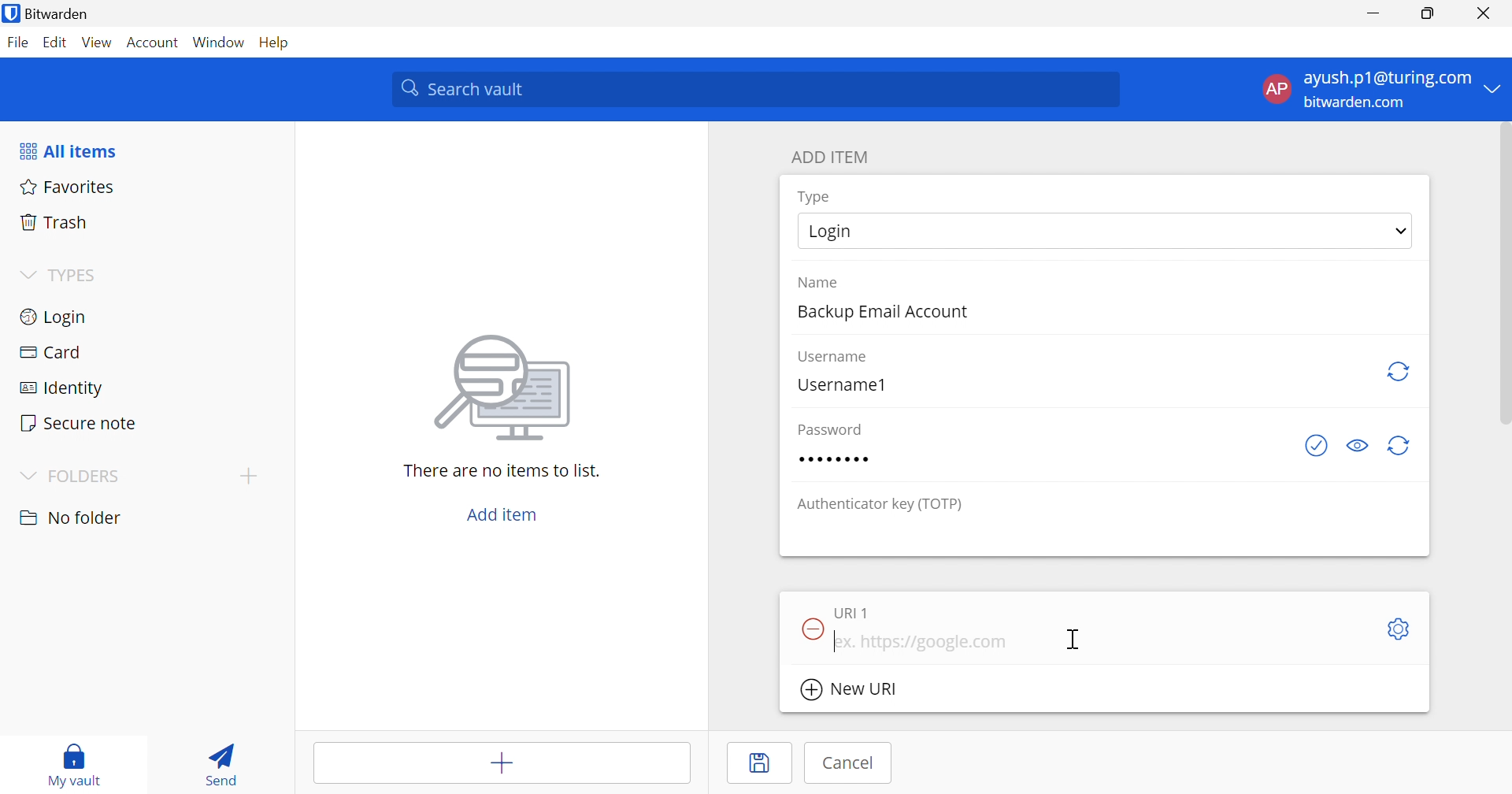  Describe the element at coordinates (818, 283) in the screenshot. I see `Name` at that location.